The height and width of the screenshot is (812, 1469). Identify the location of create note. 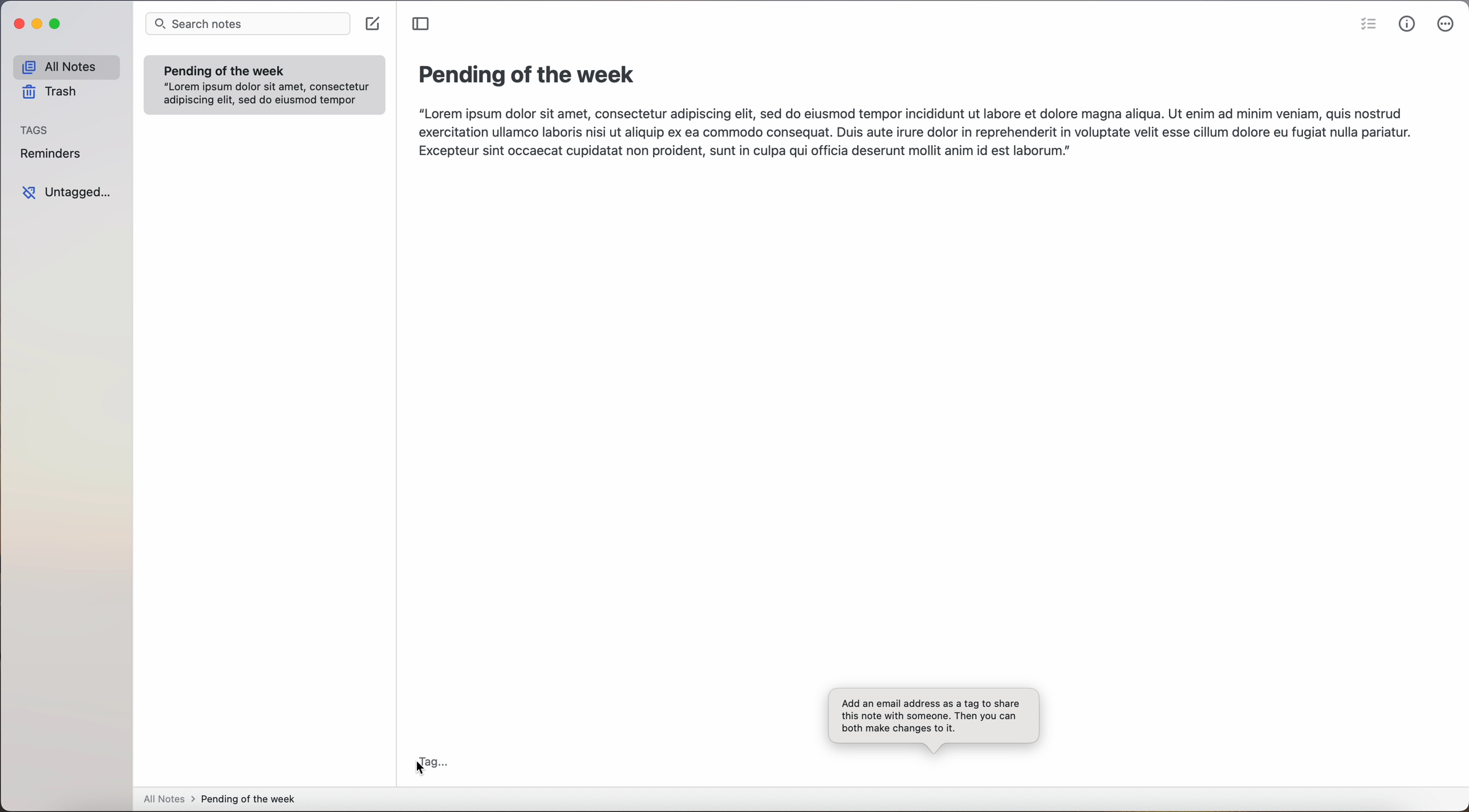
(375, 24).